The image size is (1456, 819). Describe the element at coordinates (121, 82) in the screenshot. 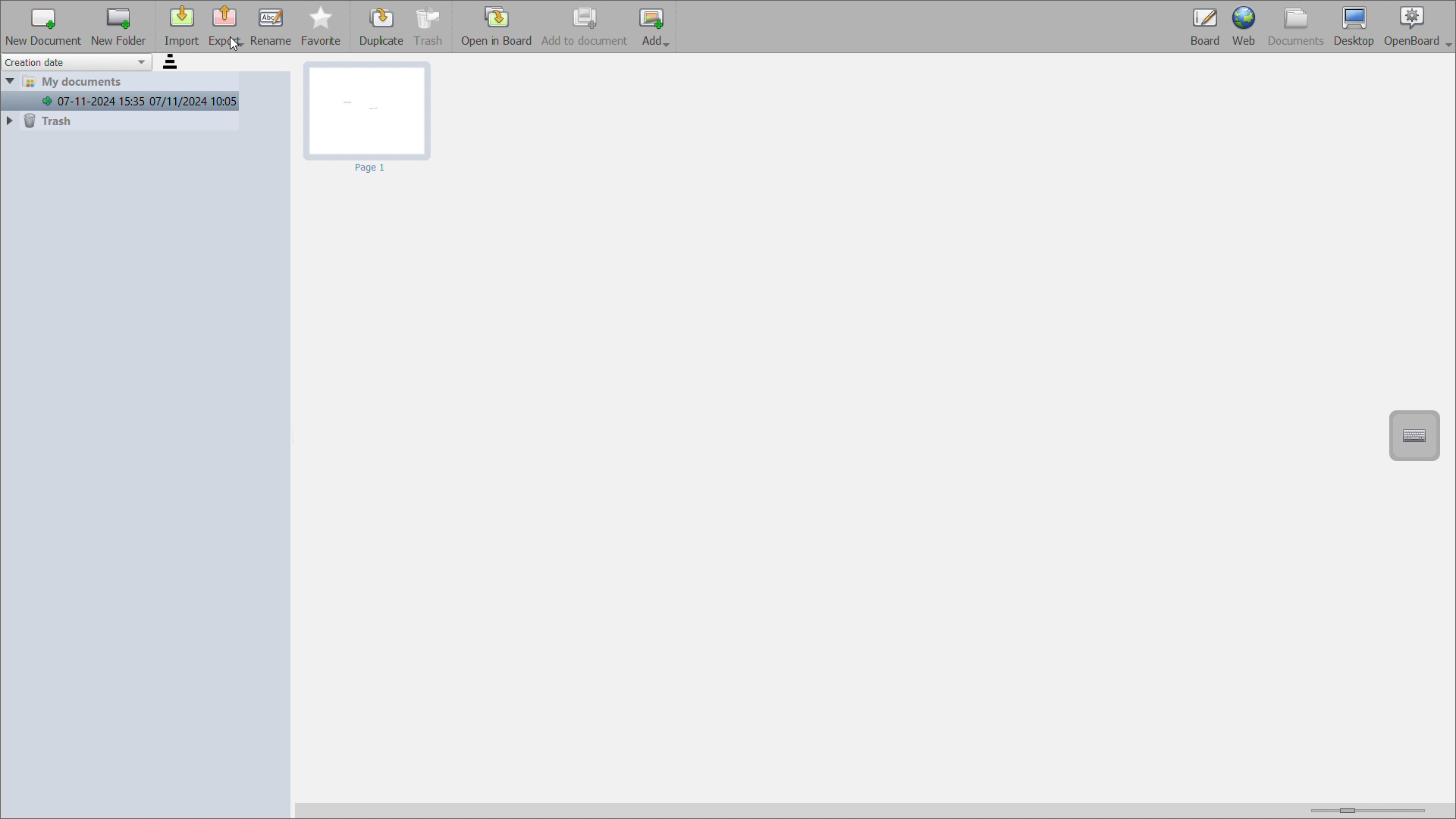

I see `my documents` at that location.